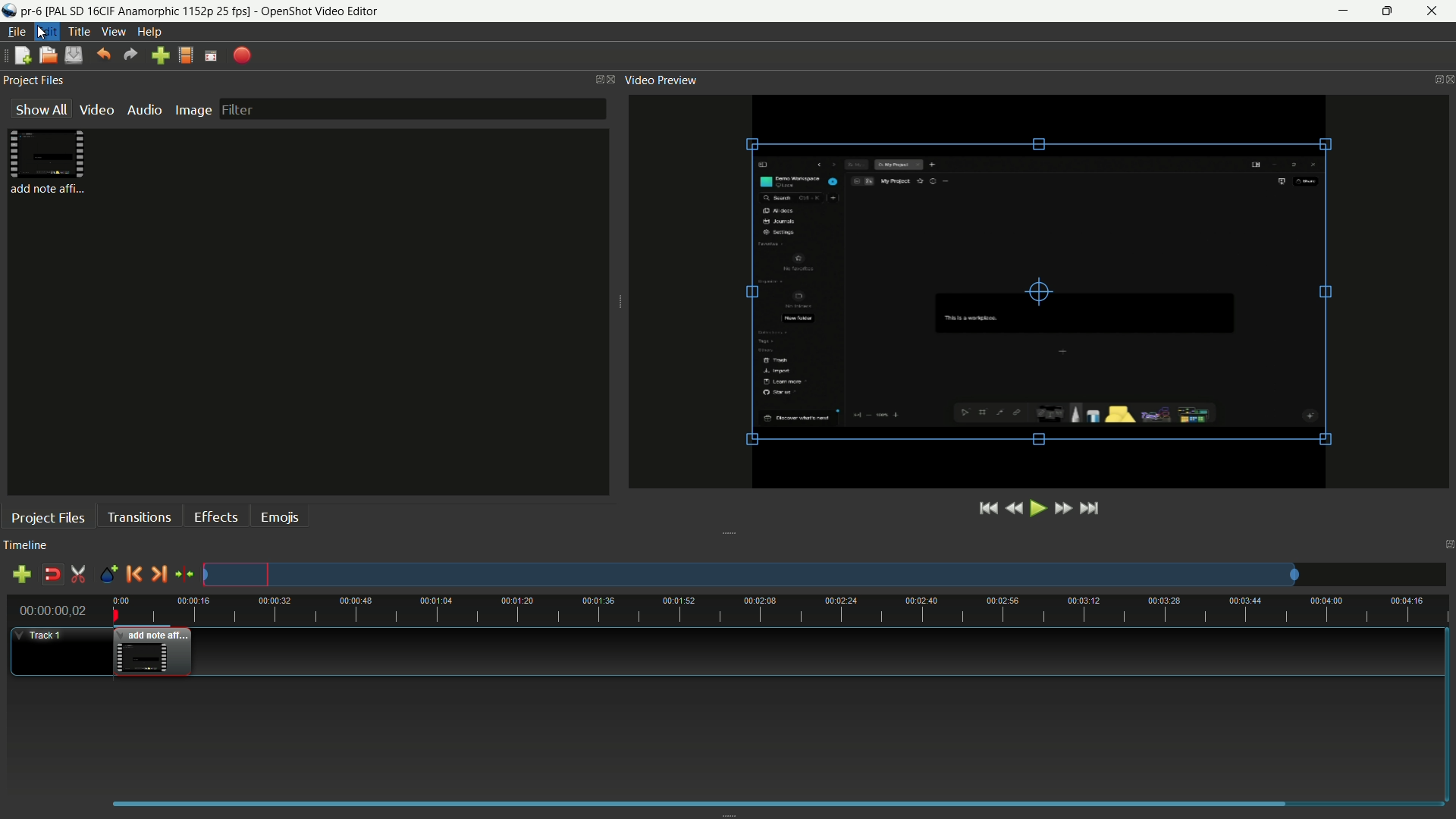  What do you see at coordinates (1062, 508) in the screenshot?
I see `fast forward` at bounding box center [1062, 508].